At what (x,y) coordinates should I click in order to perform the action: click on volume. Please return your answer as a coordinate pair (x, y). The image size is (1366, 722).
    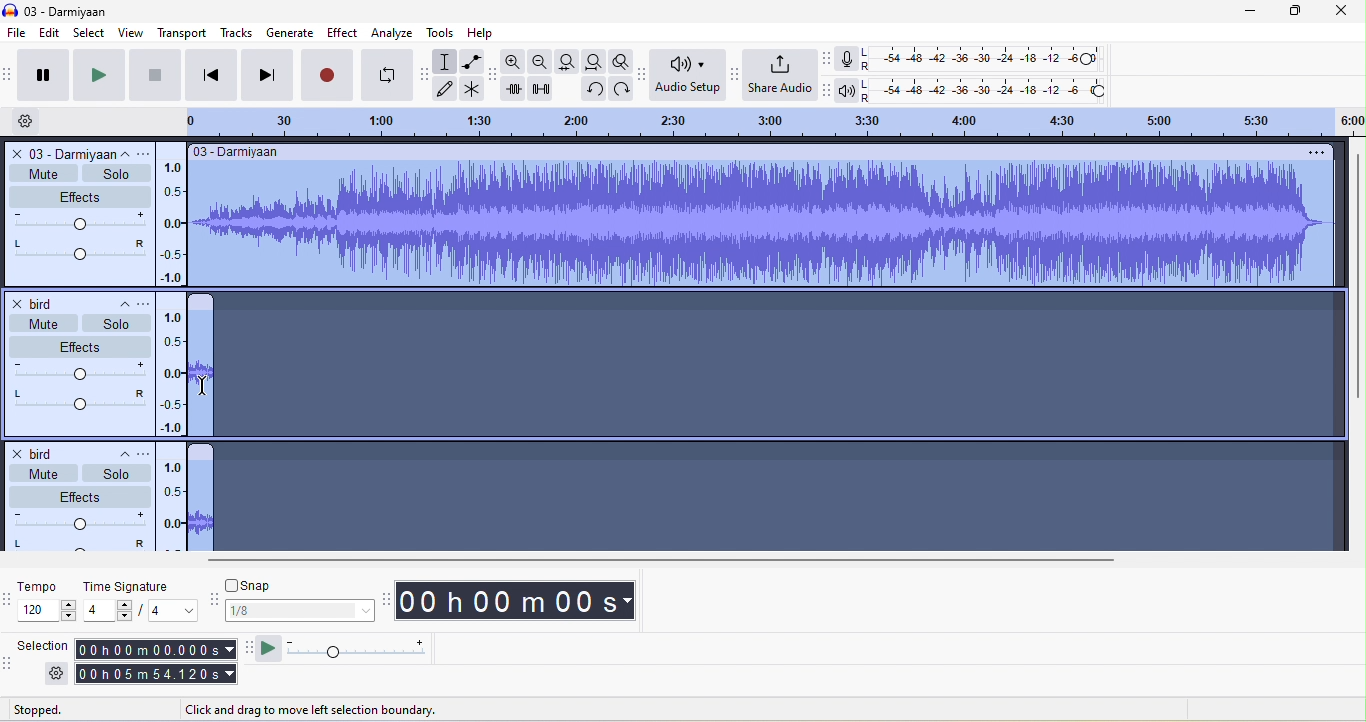
    Looking at the image, I should click on (78, 520).